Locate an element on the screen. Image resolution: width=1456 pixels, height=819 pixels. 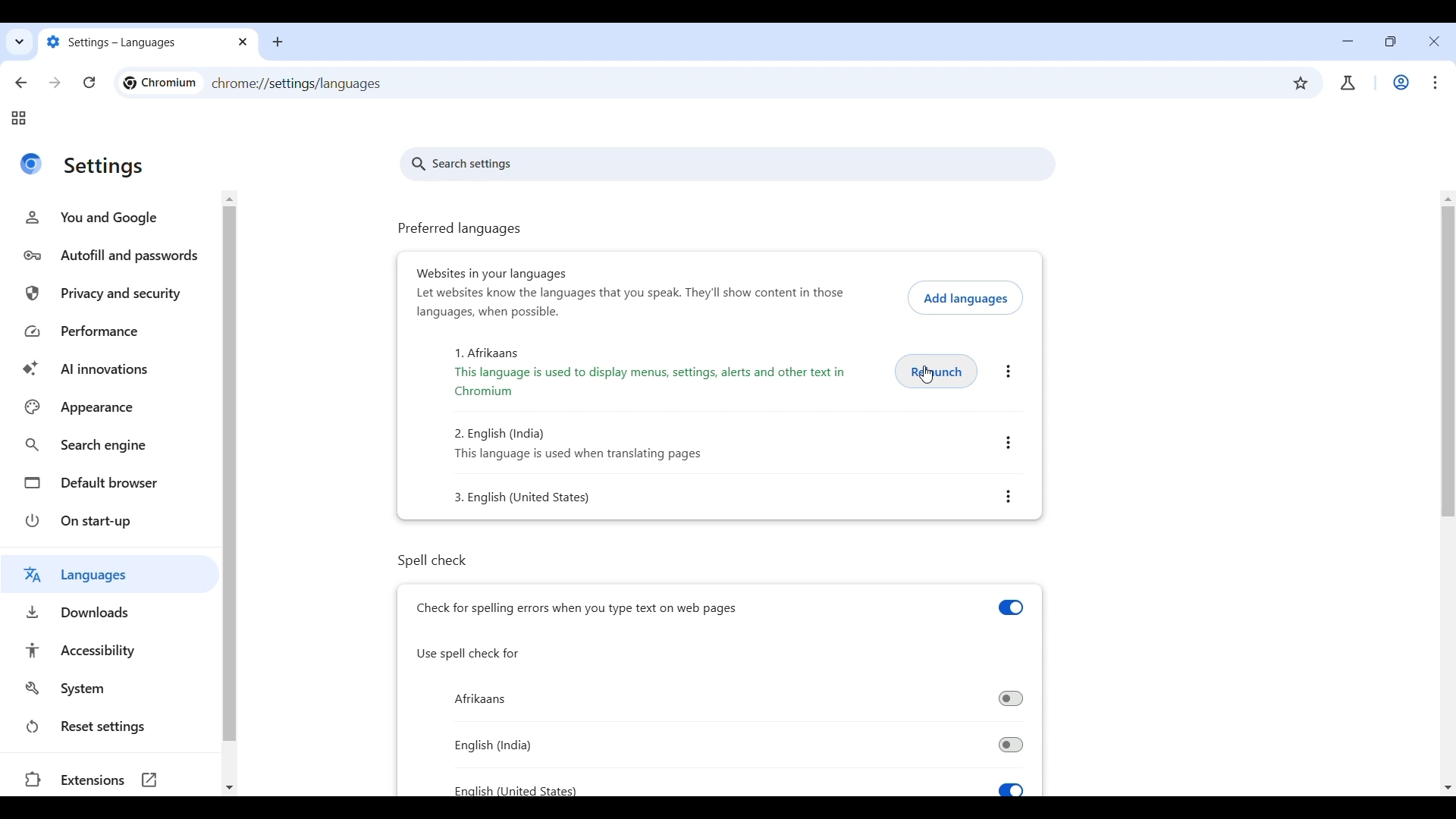
Quick slide to bottom is located at coordinates (229, 788).